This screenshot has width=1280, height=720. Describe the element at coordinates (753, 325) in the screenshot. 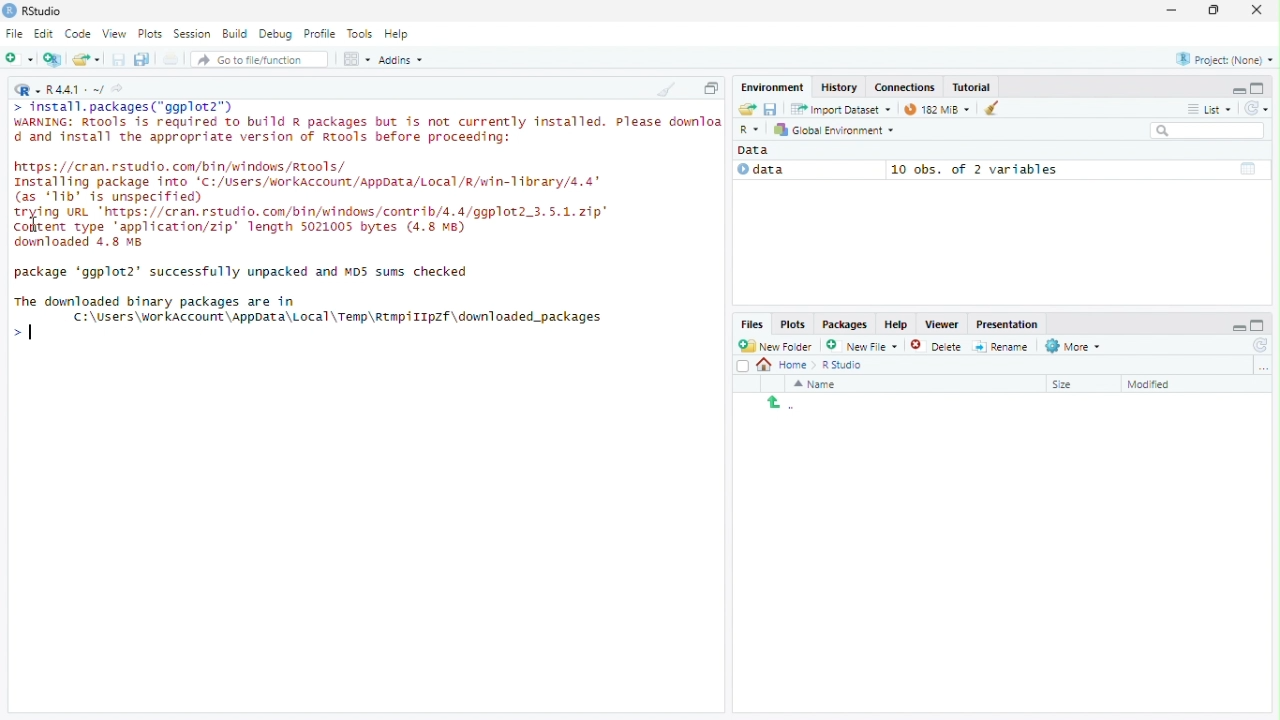

I see `Files` at that location.